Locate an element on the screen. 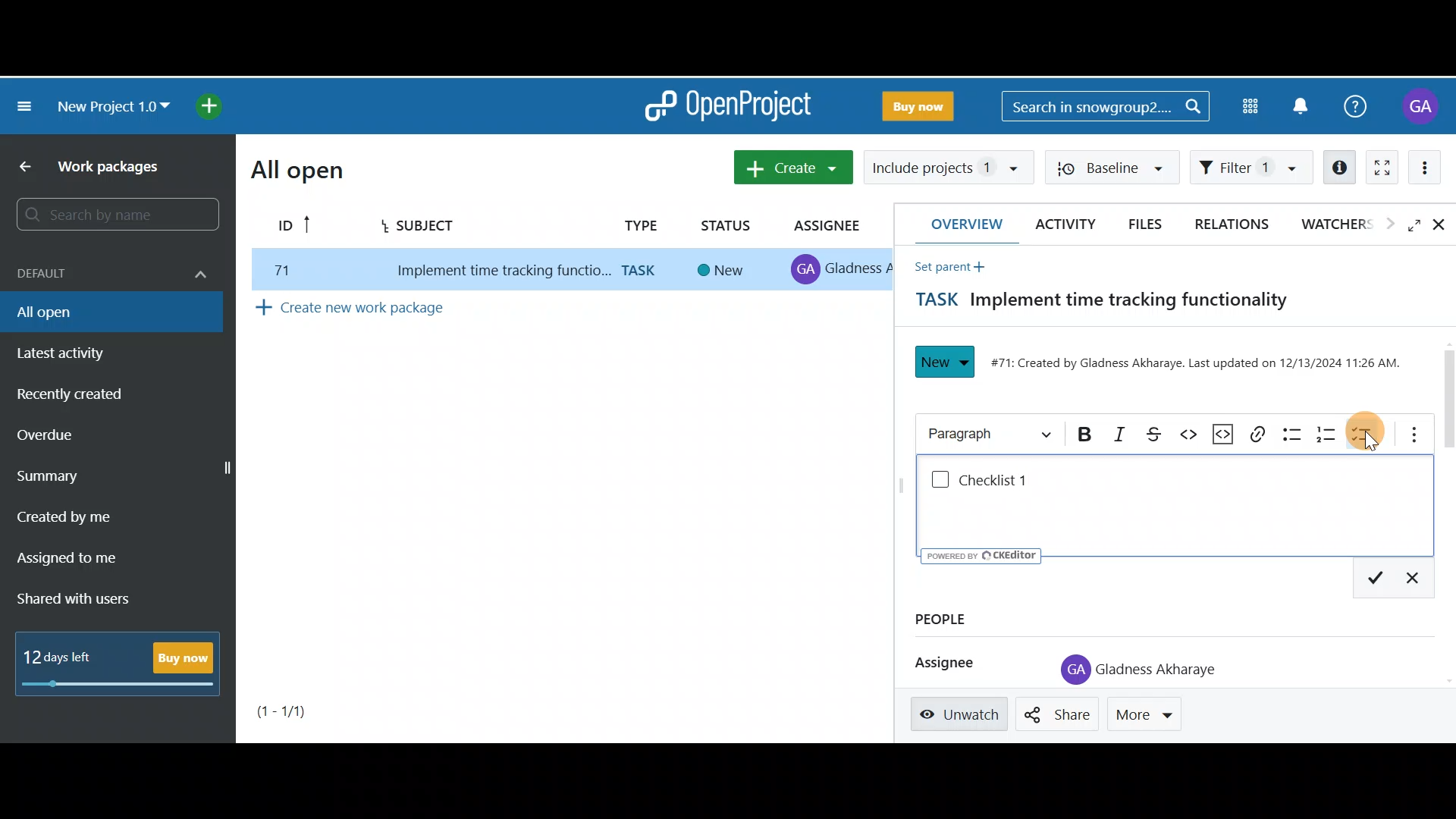 This screenshot has width=1456, height=819. Open quick add menu is located at coordinates (209, 104).